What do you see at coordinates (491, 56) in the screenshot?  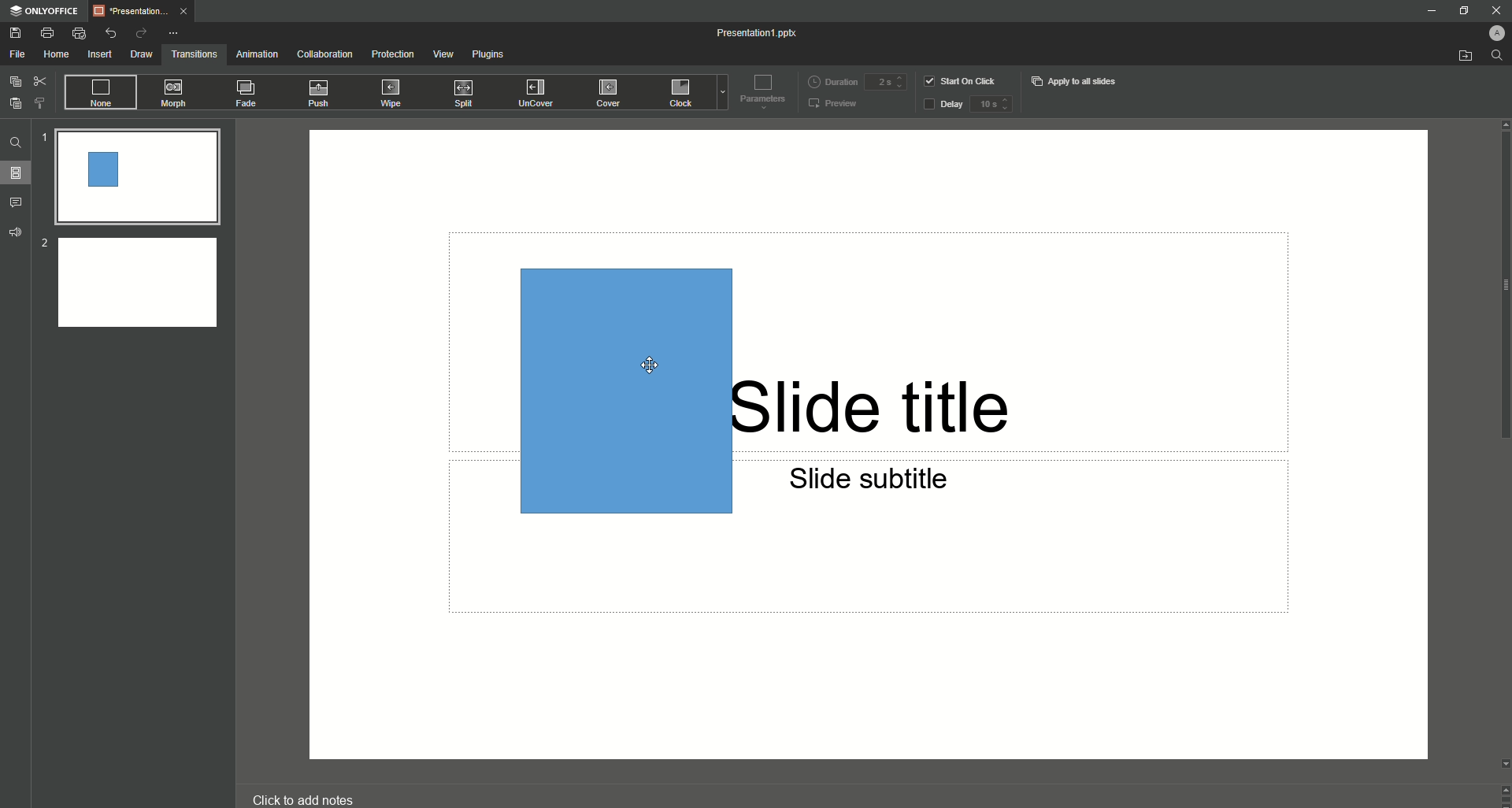 I see `Plugins` at bounding box center [491, 56].